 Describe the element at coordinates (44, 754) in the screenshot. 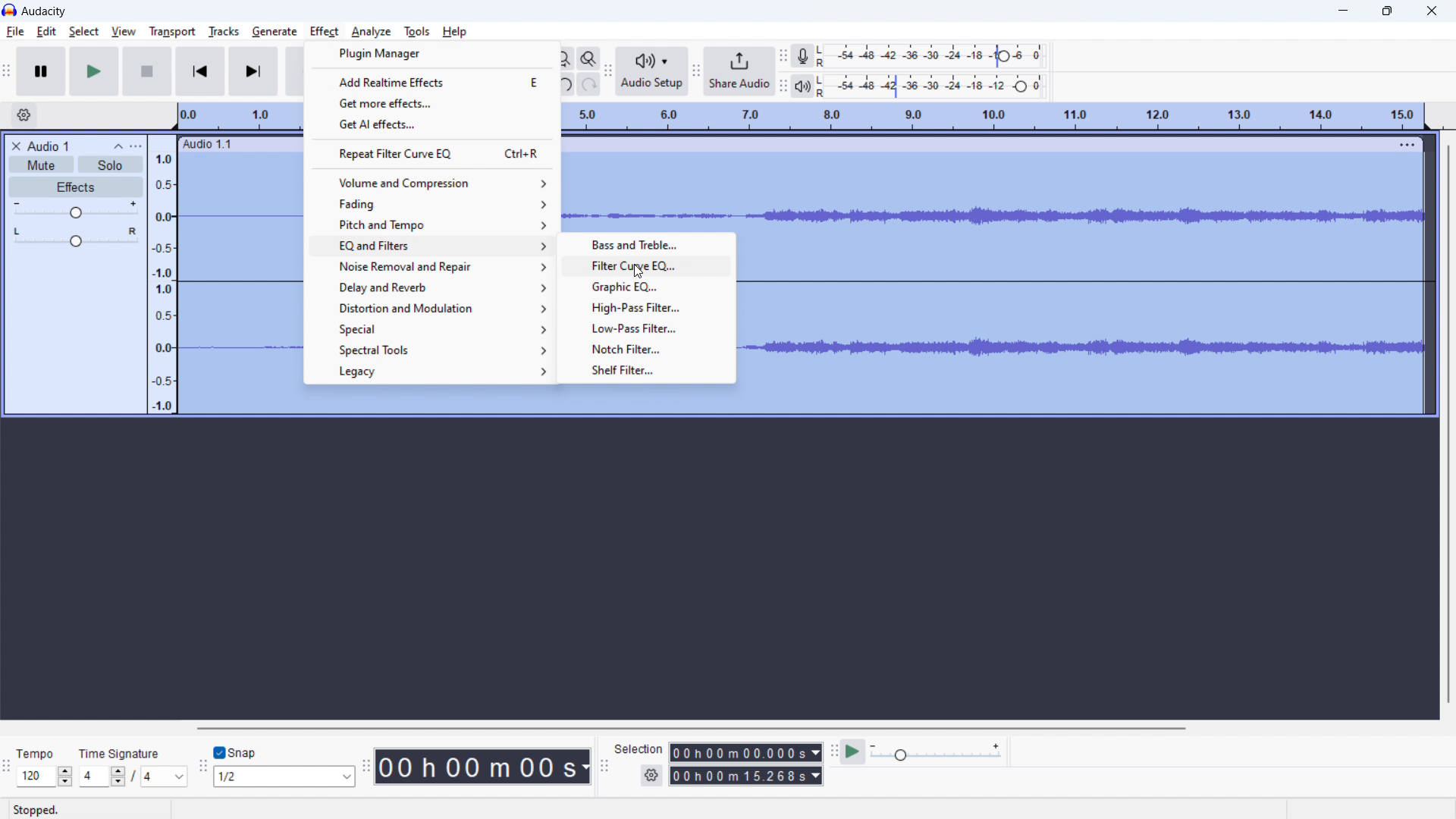

I see `Tempo` at that location.